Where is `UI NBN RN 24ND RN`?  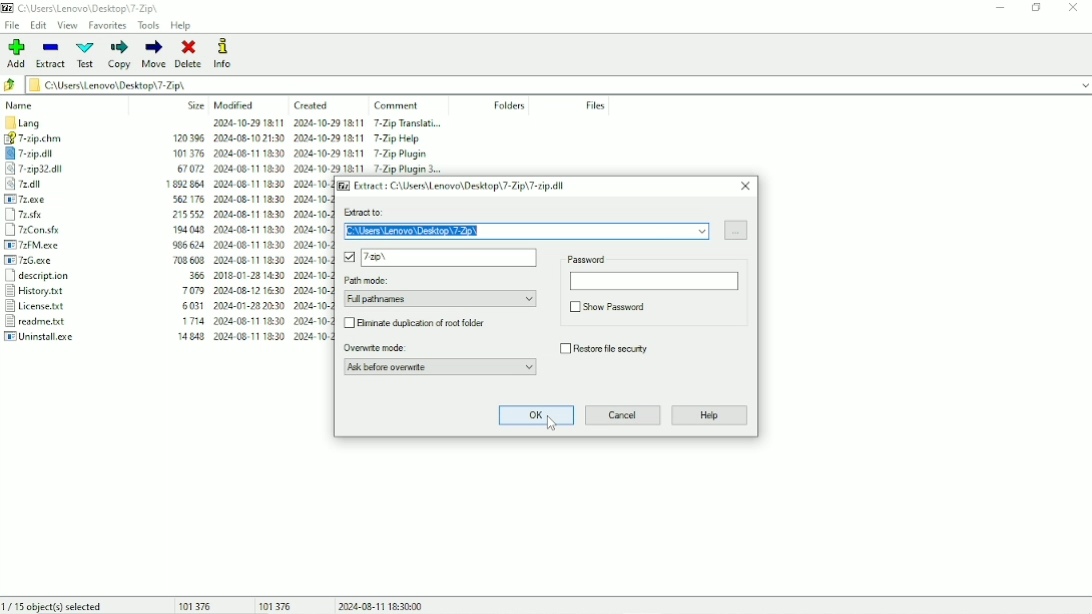
UI NBN RN 24ND RN is located at coordinates (251, 338).